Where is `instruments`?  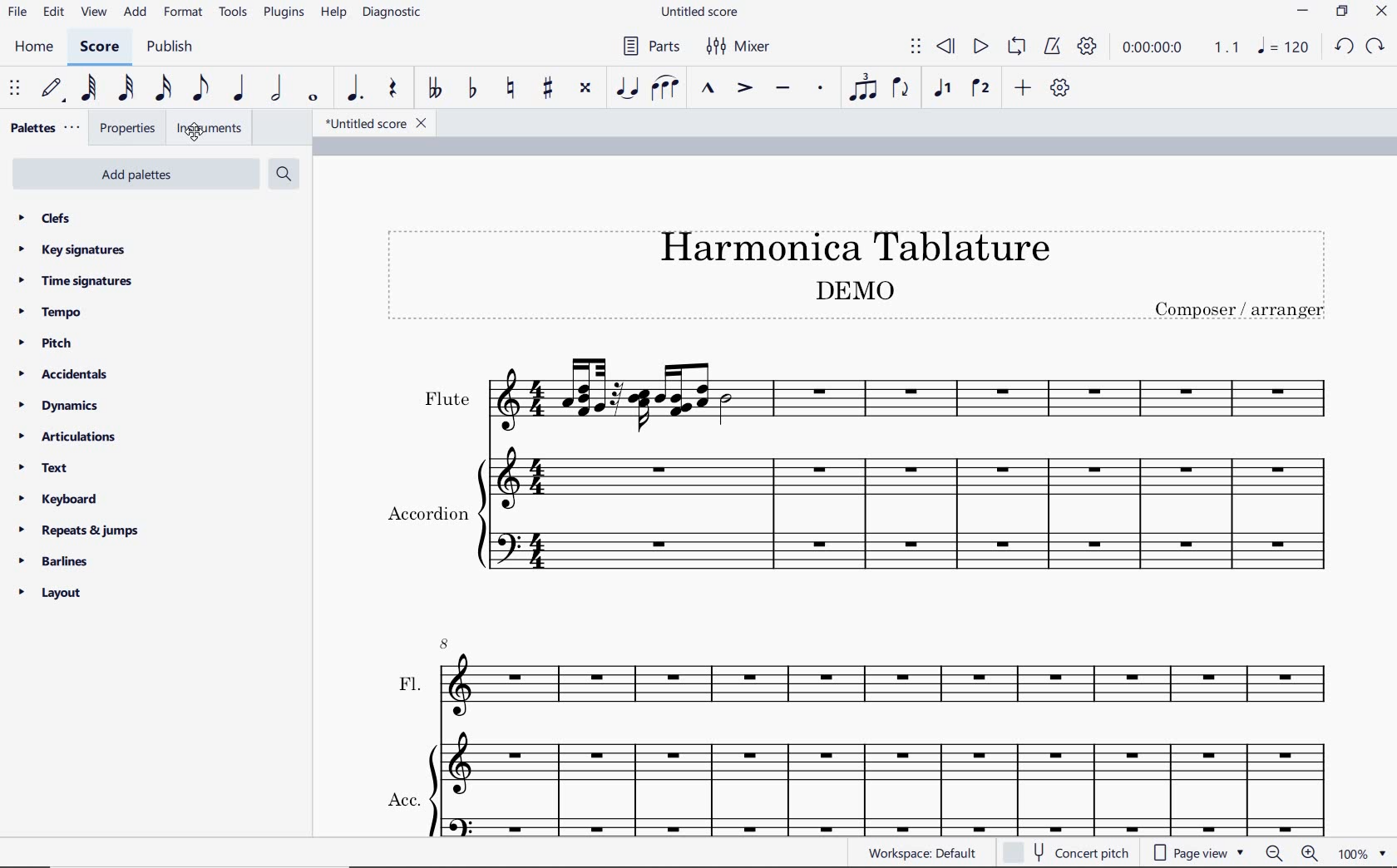
instruments is located at coordinates (223, 128).